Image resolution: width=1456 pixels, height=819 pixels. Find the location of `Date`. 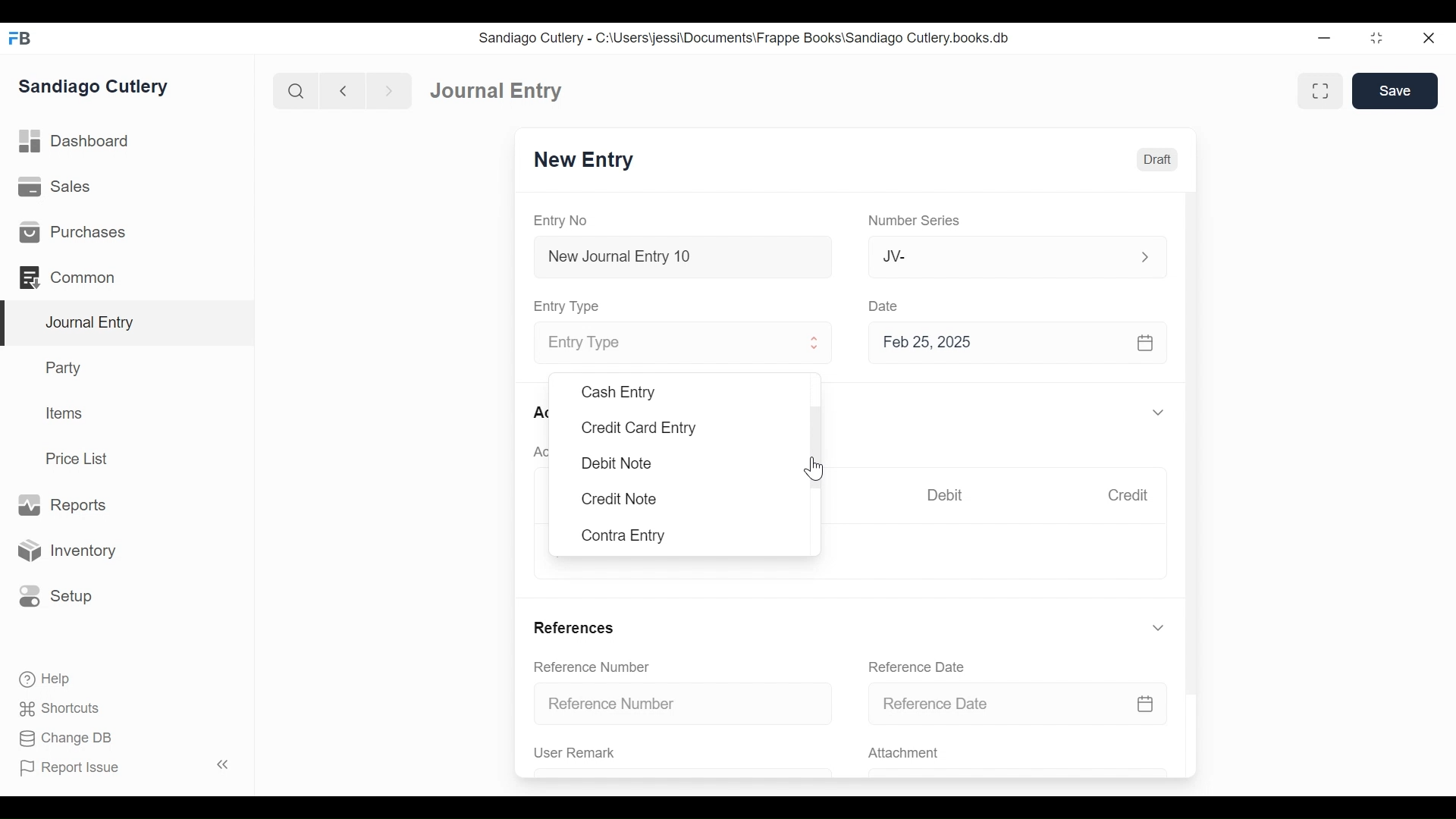

Date is located at coordinates (886, 306).